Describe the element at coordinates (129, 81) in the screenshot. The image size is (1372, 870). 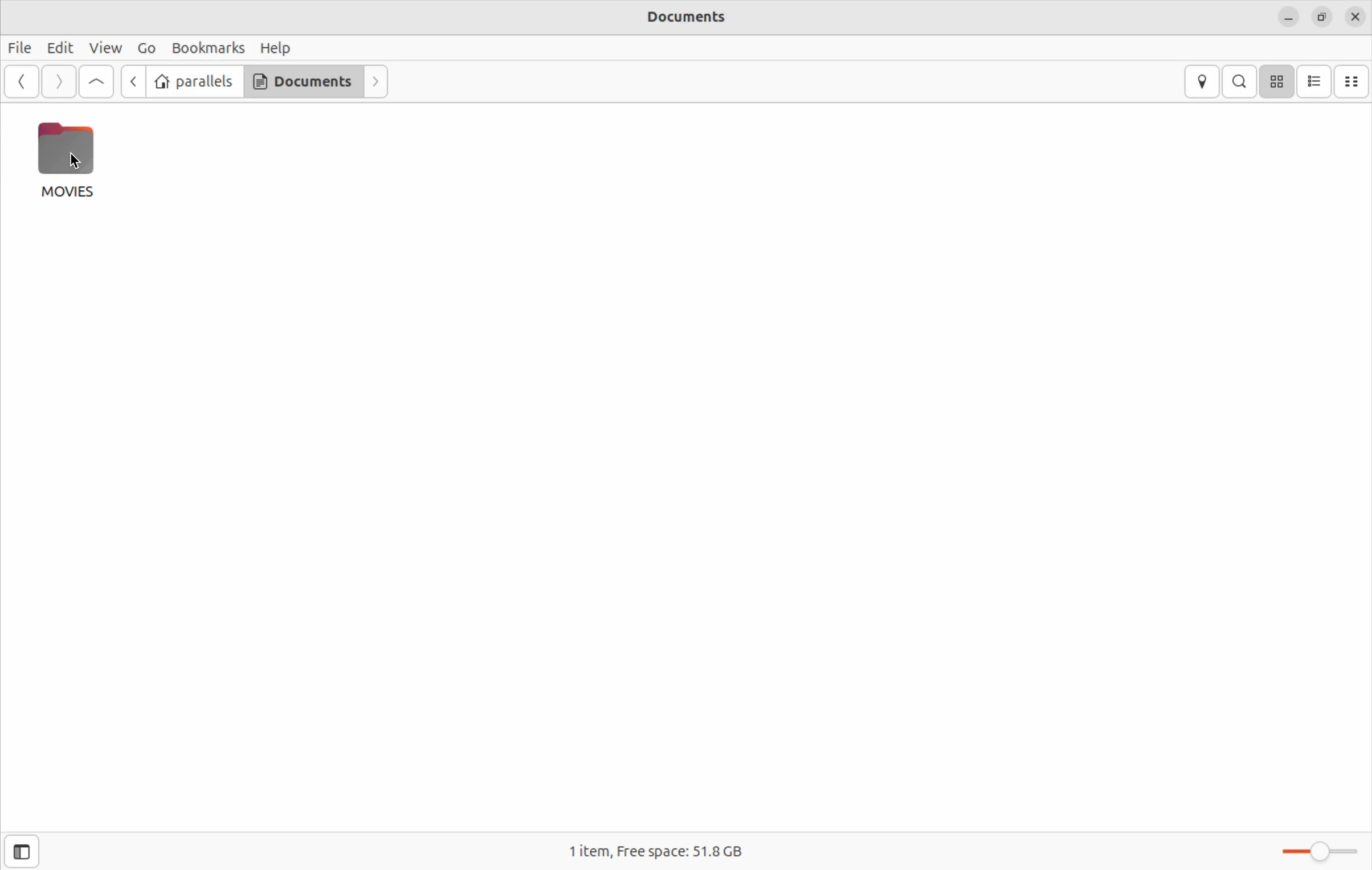
I see `back` at that location.